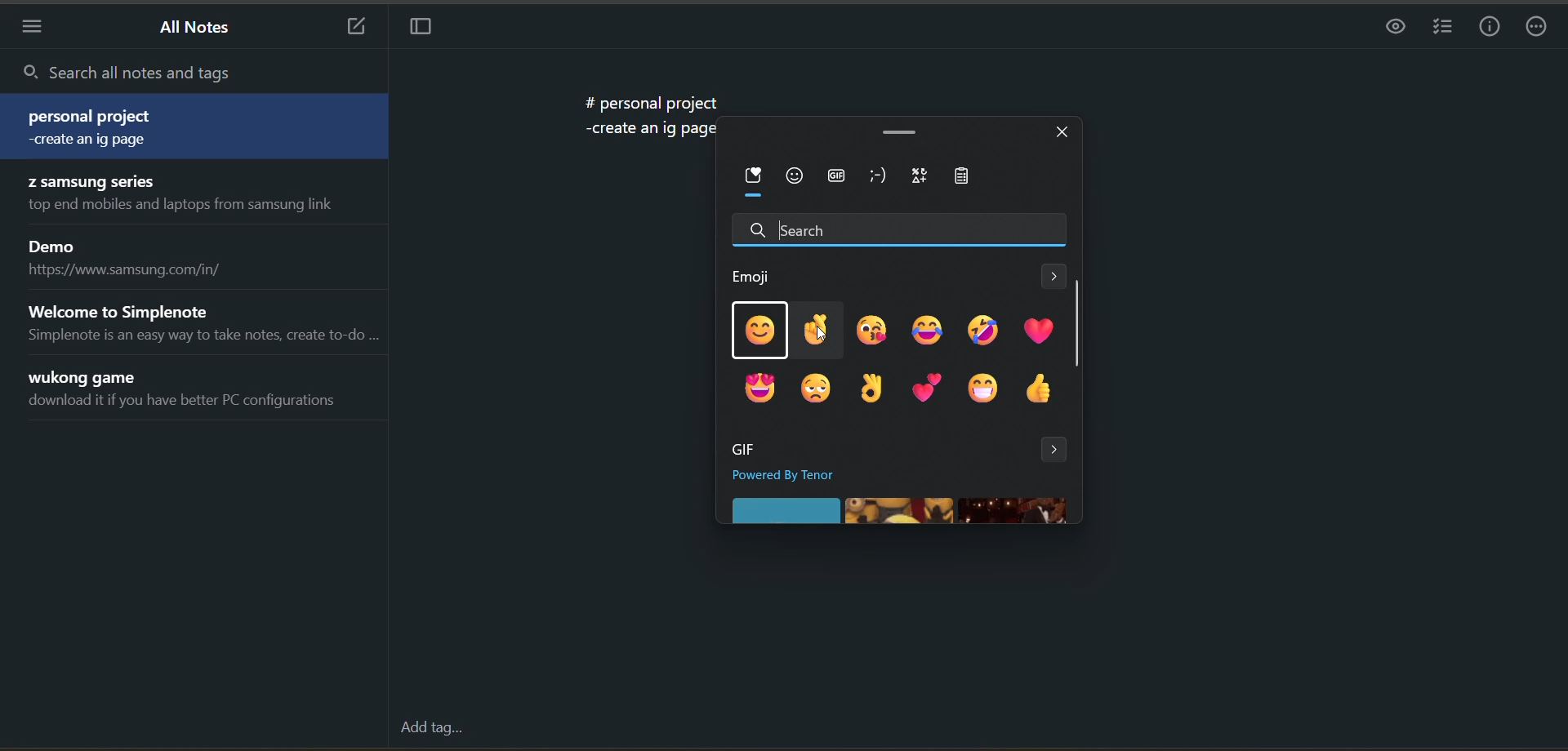  Describe the element at coordinates (1539, 28) in the screenshot. I see `actions` at that location.